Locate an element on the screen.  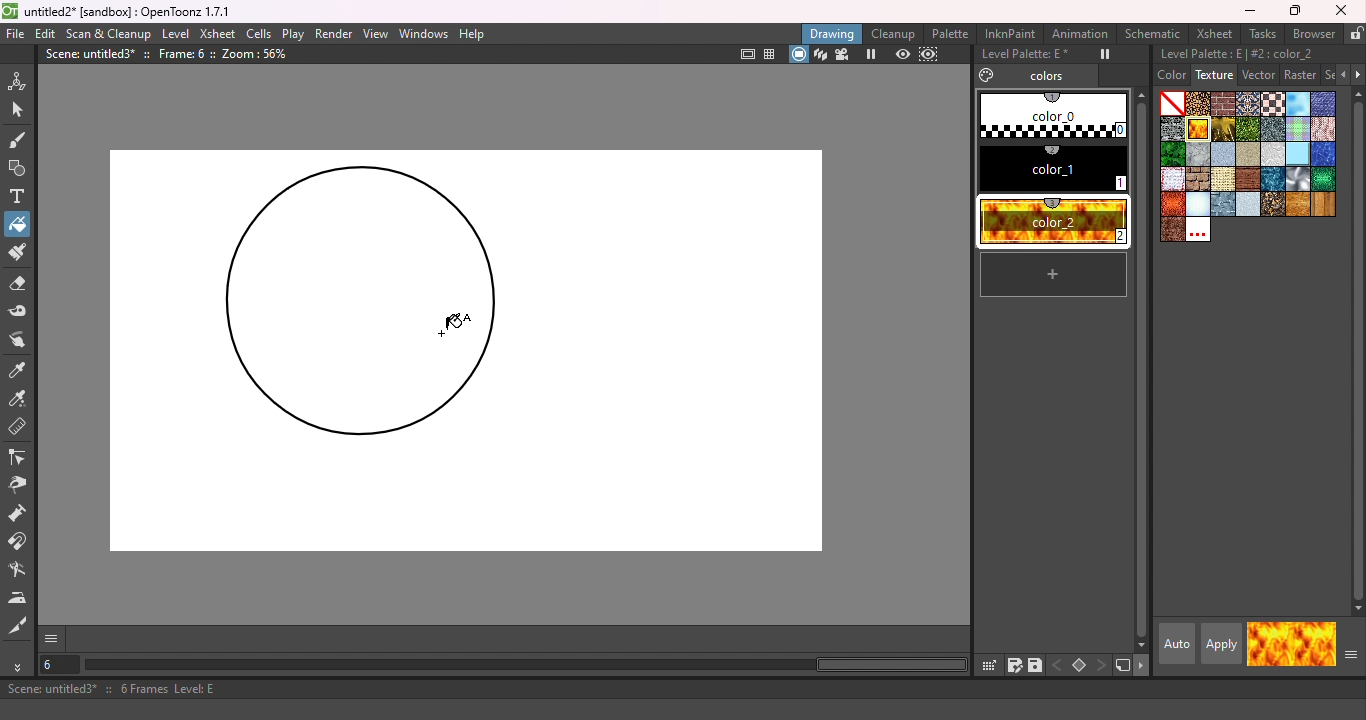
Color is located at coordinates (1165, 76).